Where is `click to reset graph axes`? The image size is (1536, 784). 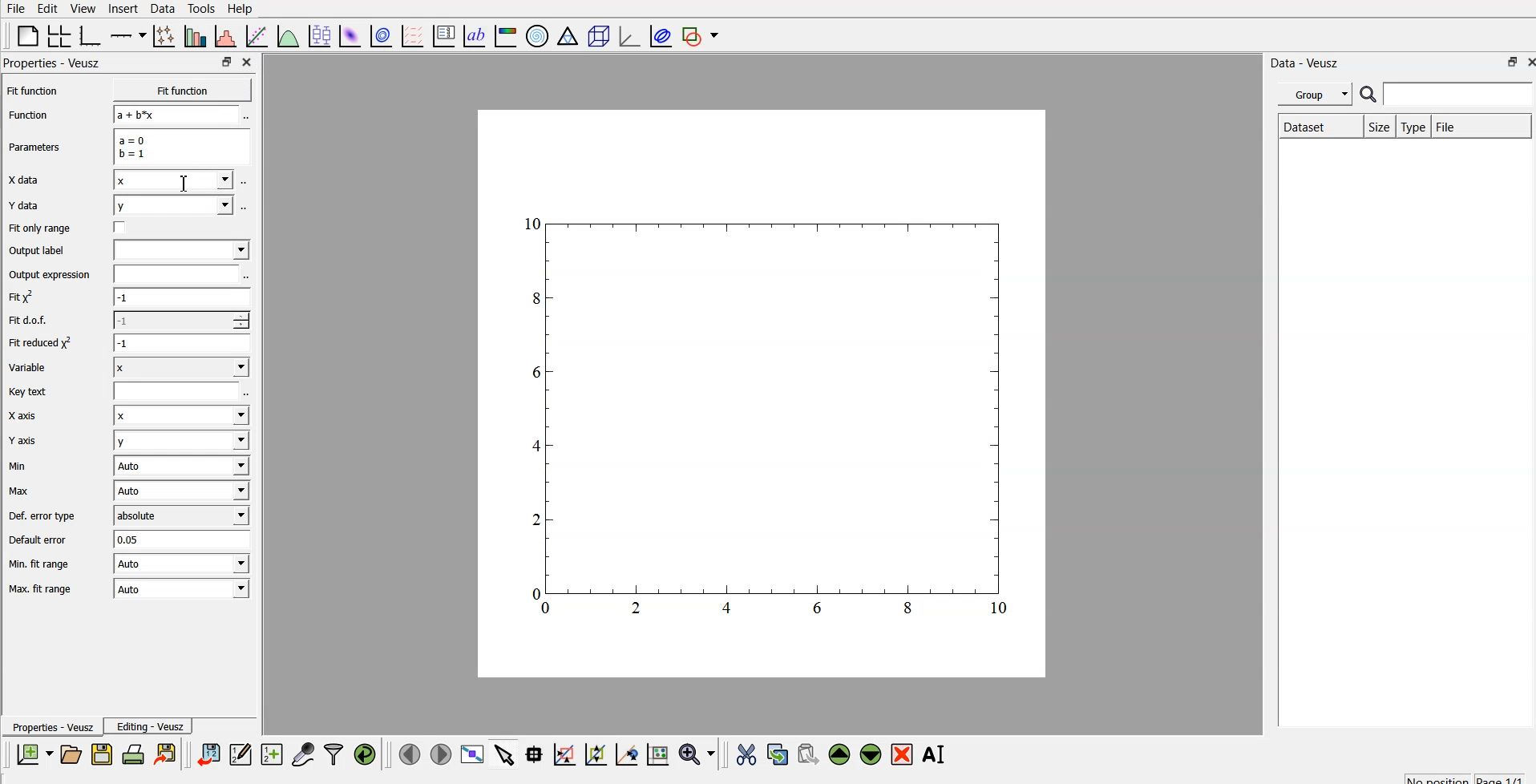
click to reset graph axes is located at coordinates (659, 754).